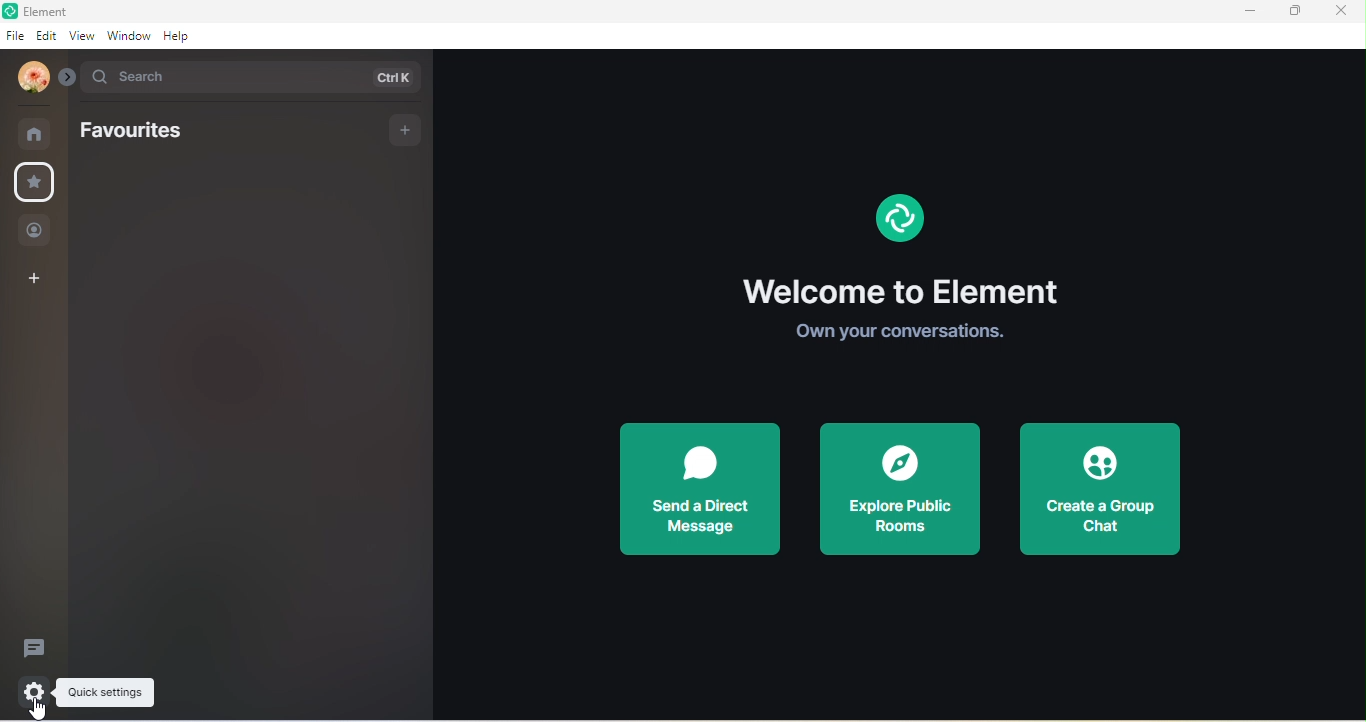  What do you see at coordinates (30, 78) in the screenshot?
I see `profile photo` at bounding box center [30, 78].